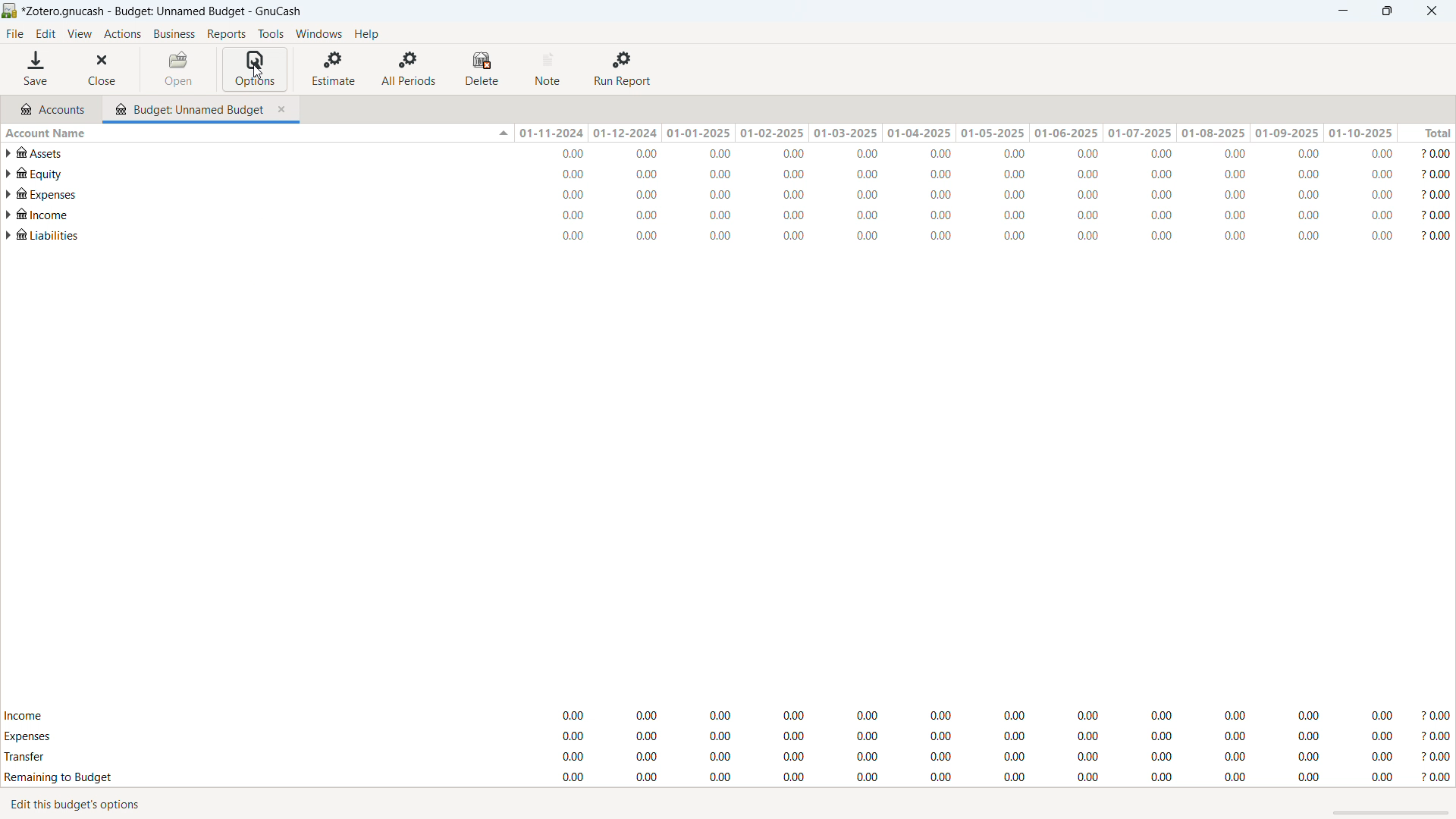 This screenshot has width=1456, height=819. What do you see at coordinates (285, 107) in the screenshot?
I see `close tab` at bounding box center [285, 107].